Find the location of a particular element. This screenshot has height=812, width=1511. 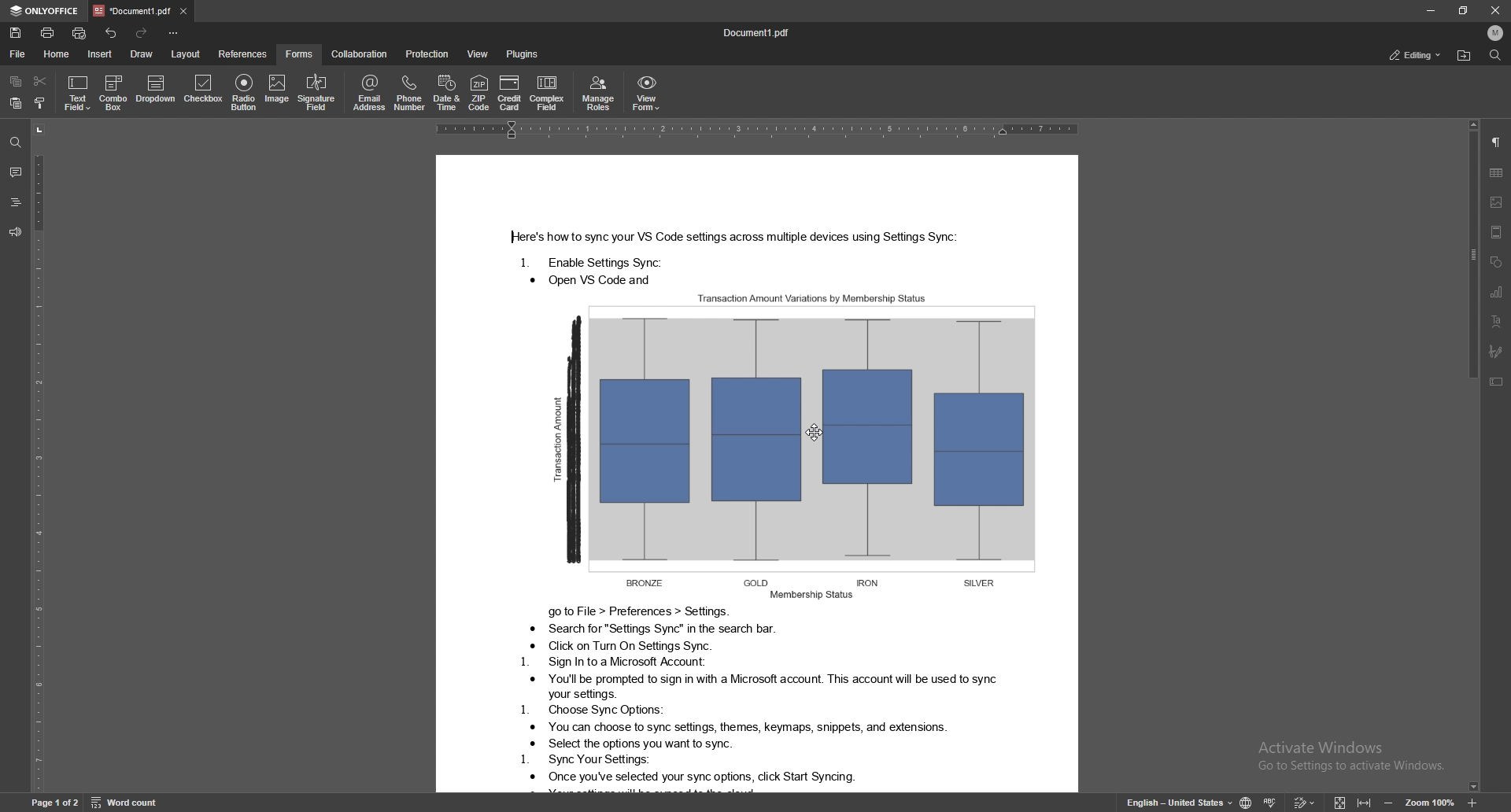

collaboration is located at coordinates (359, 54).